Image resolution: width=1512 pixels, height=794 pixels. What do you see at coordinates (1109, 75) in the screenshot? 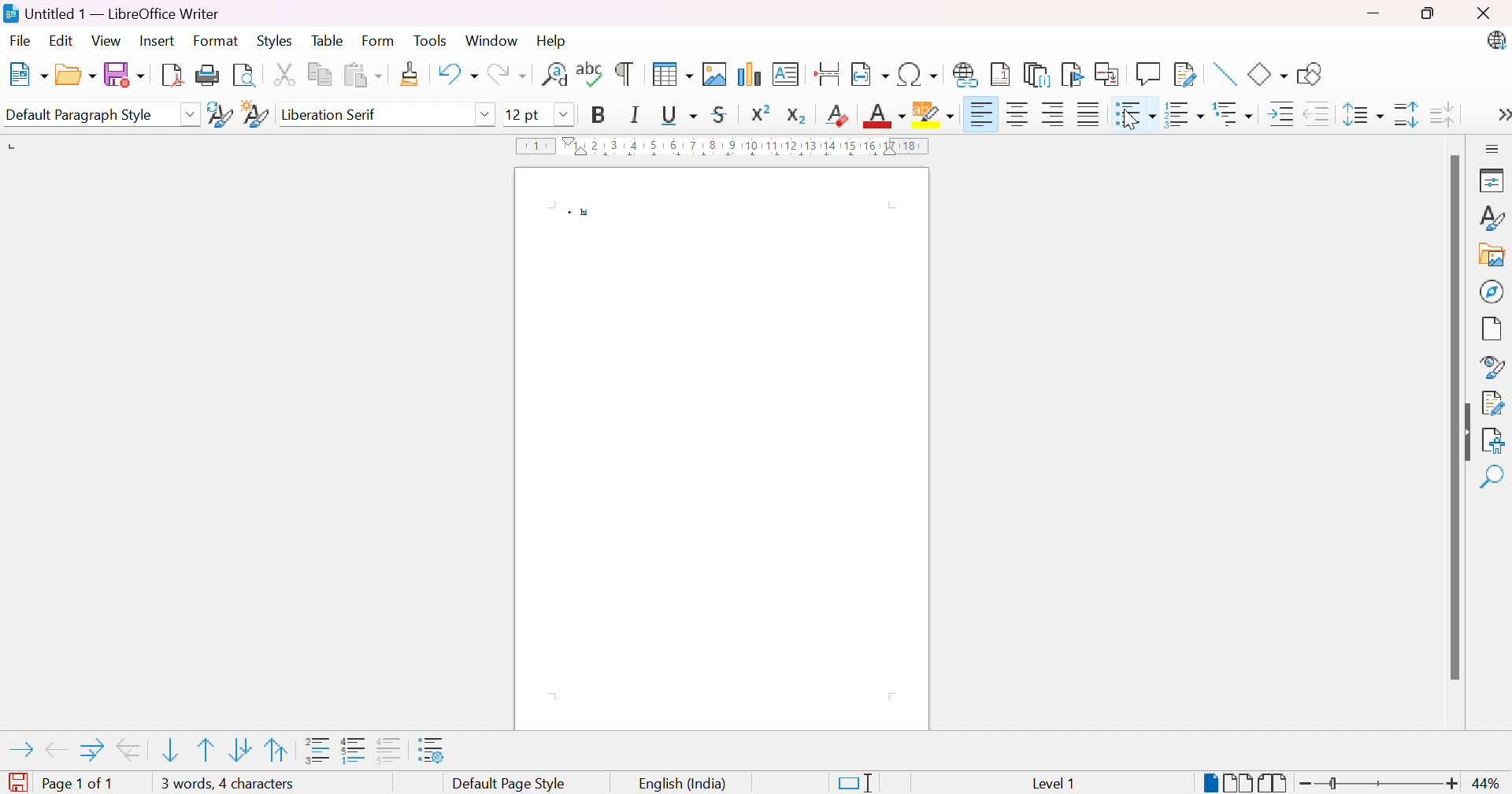
I see `Insert cross-reference` at bounding box center [1109, 75].